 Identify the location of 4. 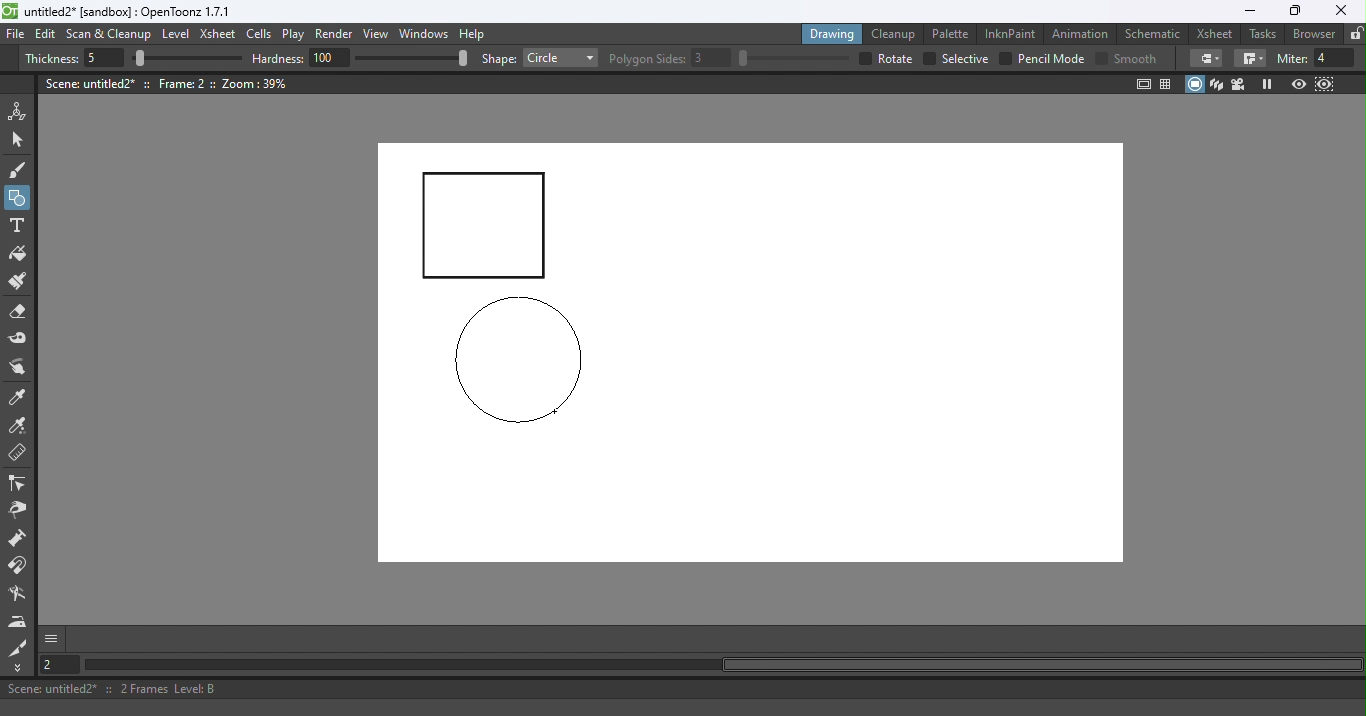
(1335, 58).